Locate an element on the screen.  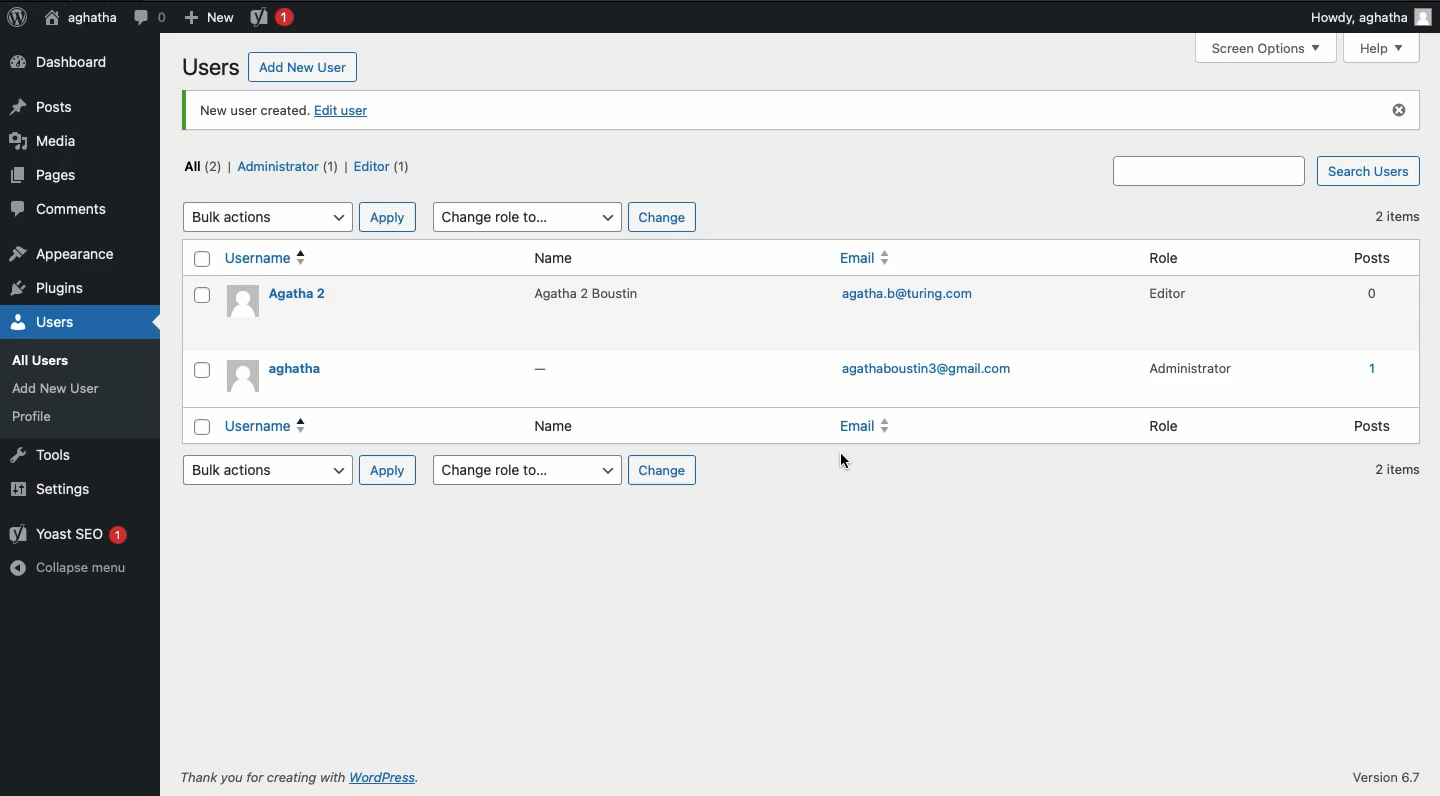
Role is located at coordinates (1169, 258).